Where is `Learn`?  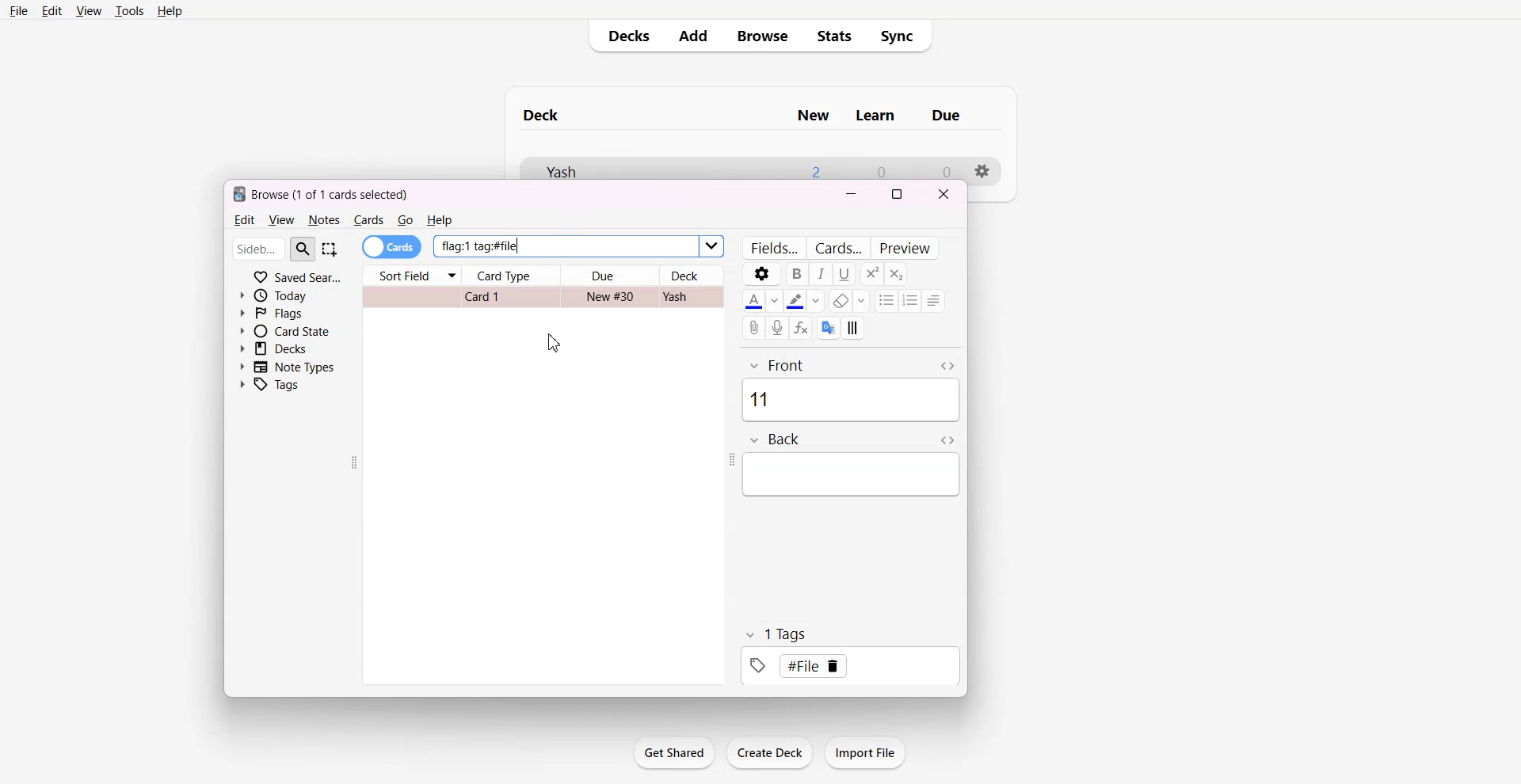
Learn is located at coordinates (882, 114).